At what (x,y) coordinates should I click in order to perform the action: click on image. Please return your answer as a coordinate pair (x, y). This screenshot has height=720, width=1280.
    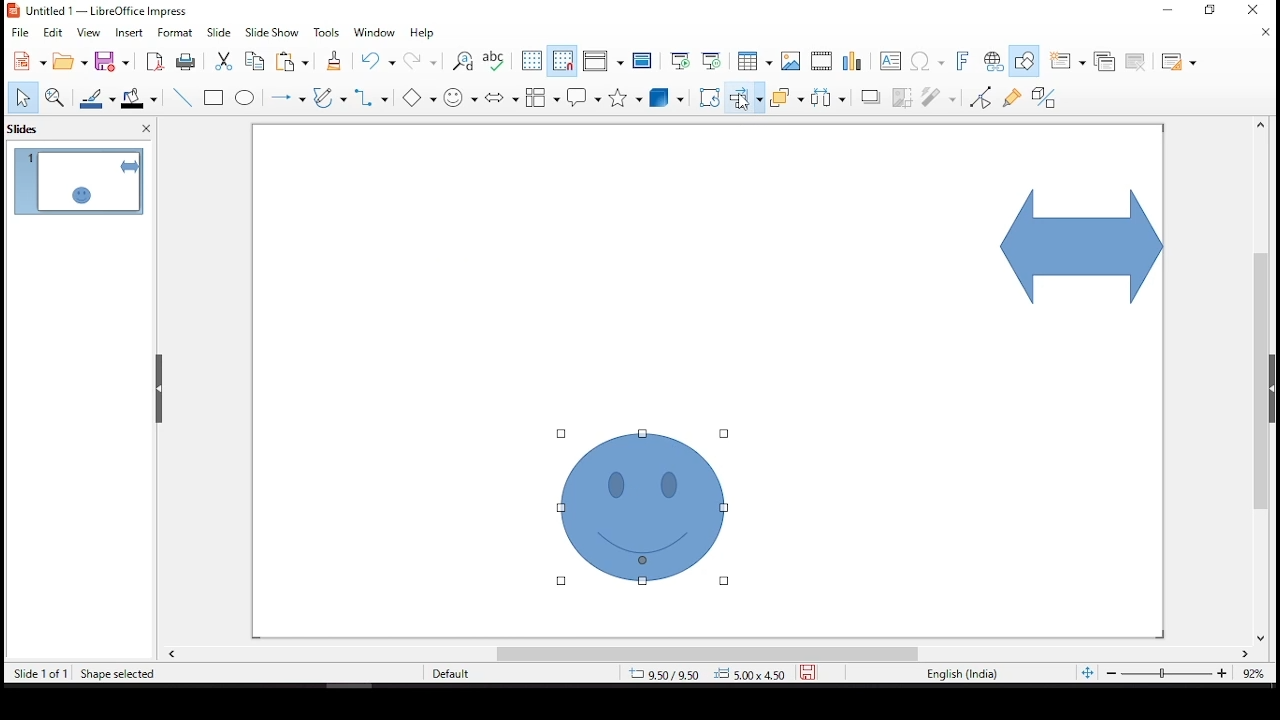
    Looking at the image, I should click on (791, 60).